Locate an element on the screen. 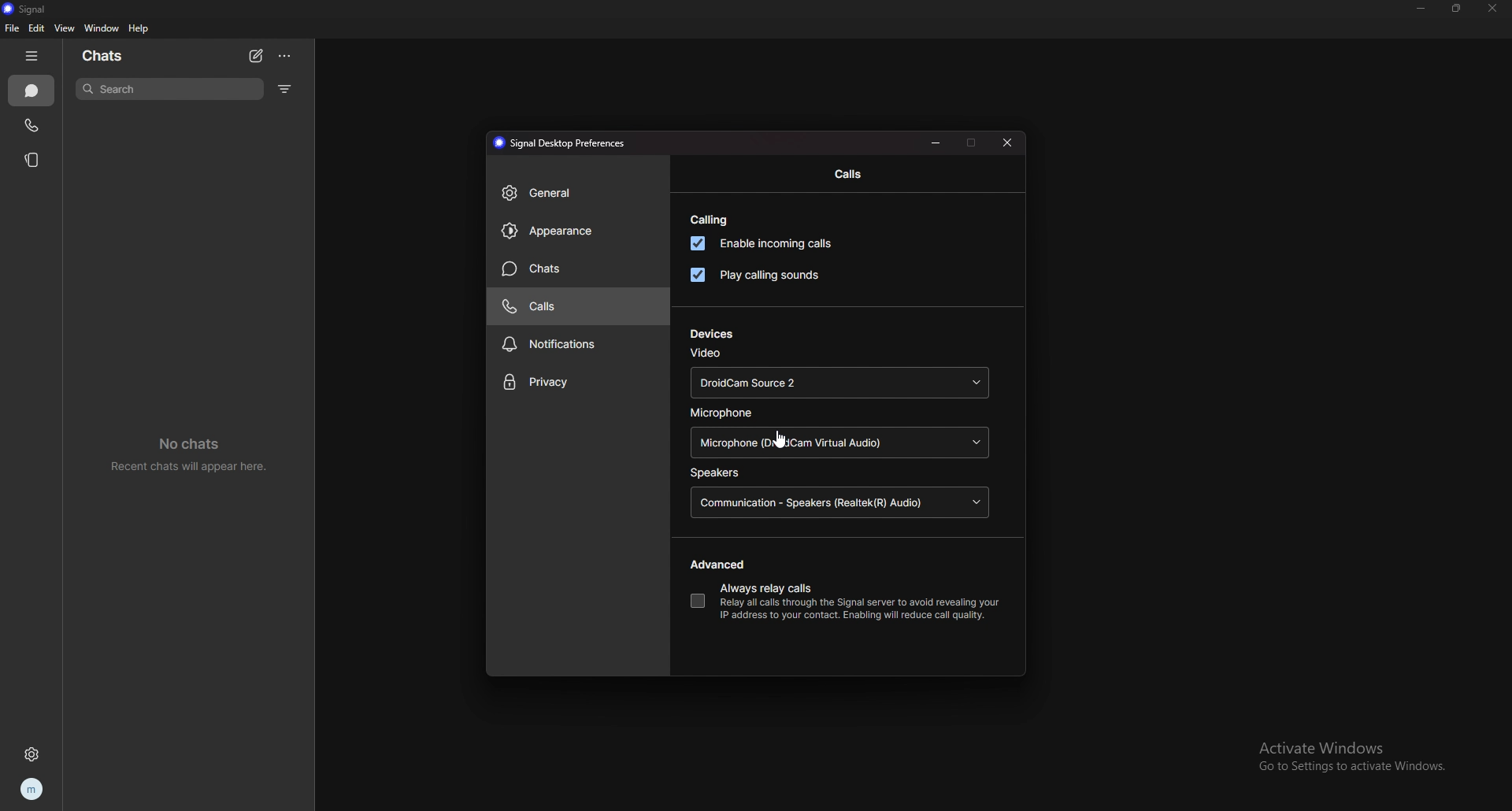 Image resolution: width=1512 pixels, height=811 pixels. new chat is located at coordinates (257, 56).